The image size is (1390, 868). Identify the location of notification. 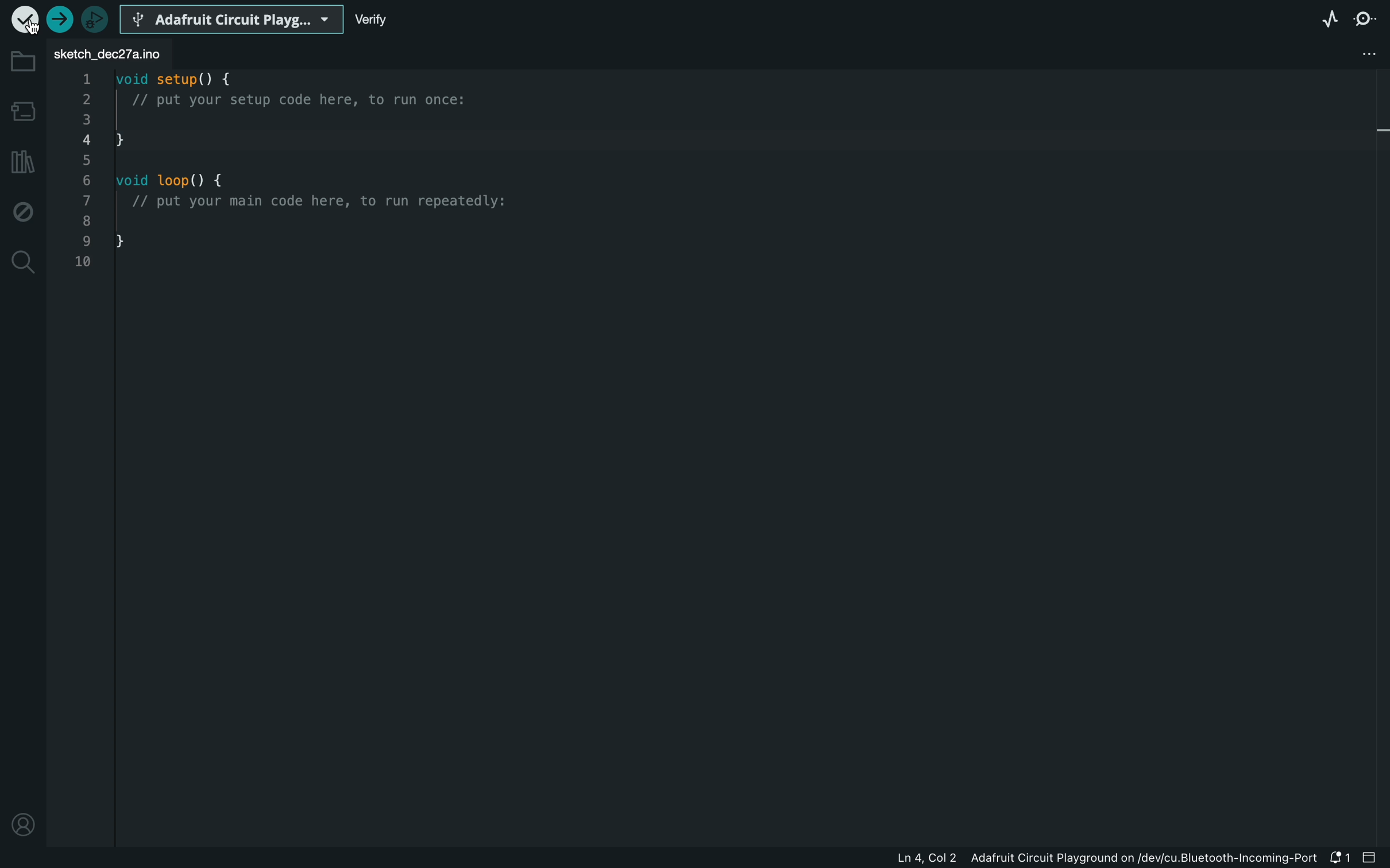
(1339, 858).